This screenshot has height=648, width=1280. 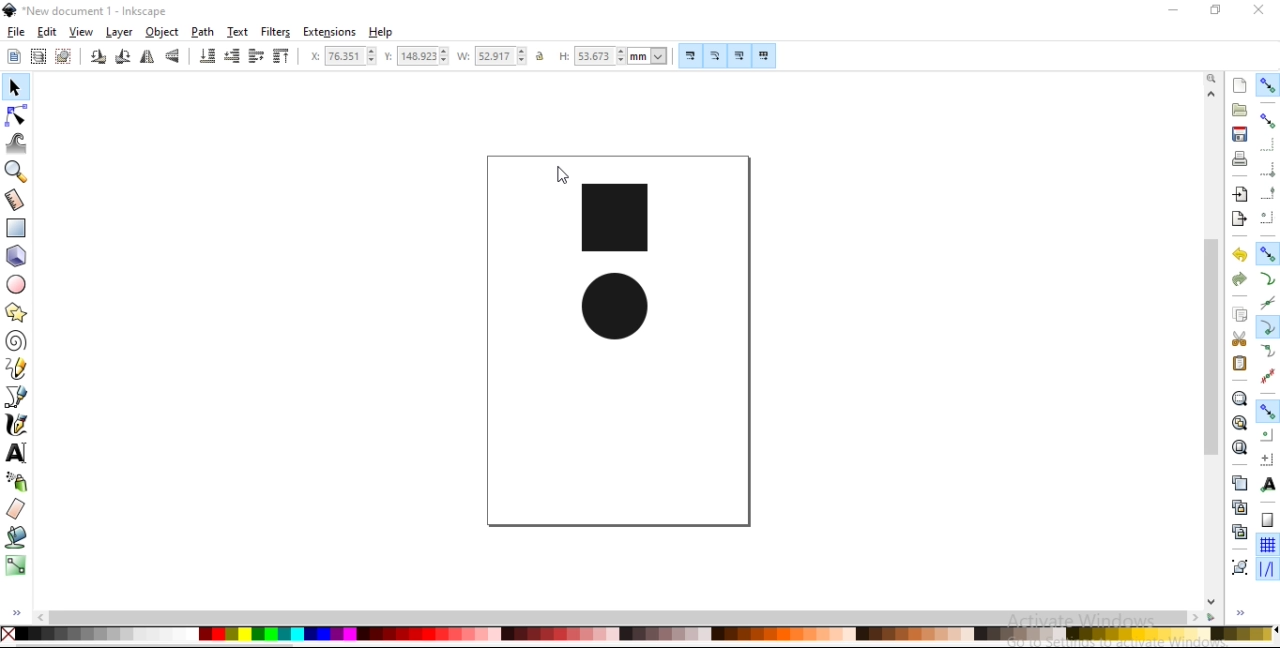 What do you see at coordinates (617, 260) in the screenshot?
I see `image` at bounding box center [617, 260].